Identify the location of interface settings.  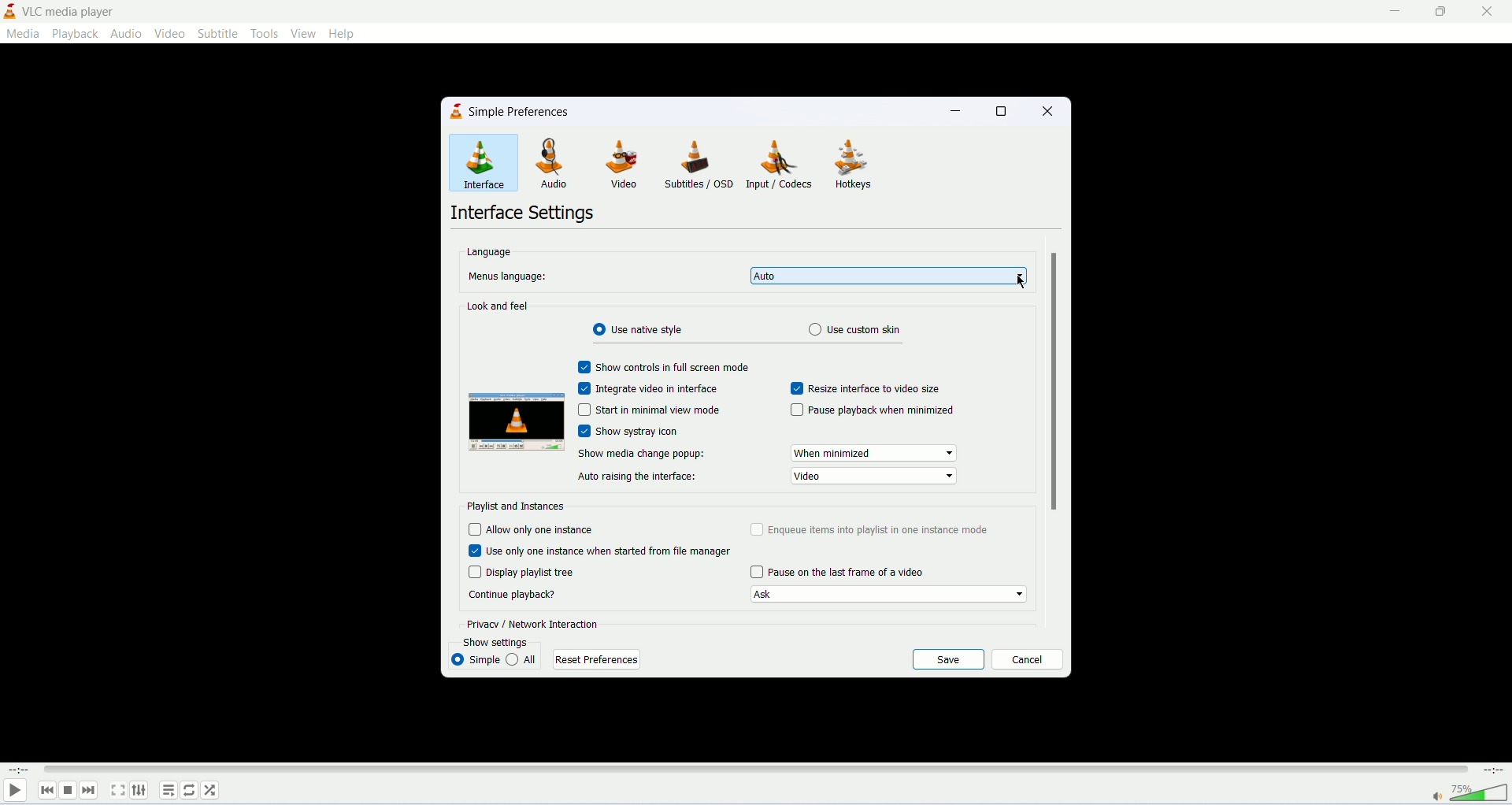
(524, 214).